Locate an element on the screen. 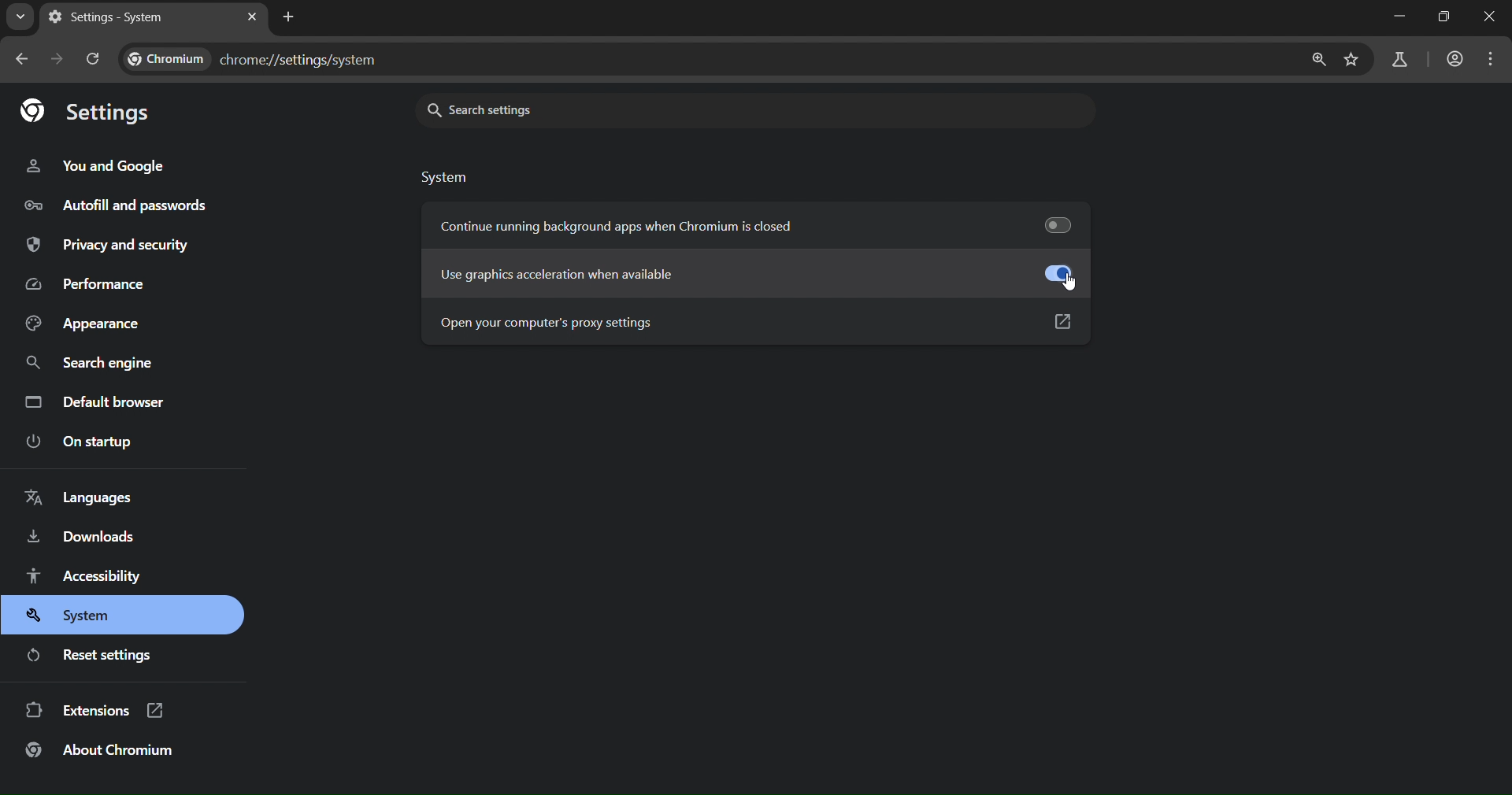 Image resolution: width=1512 pixels, height=795 pixels. cursor is located at coordinates (1072, 282).